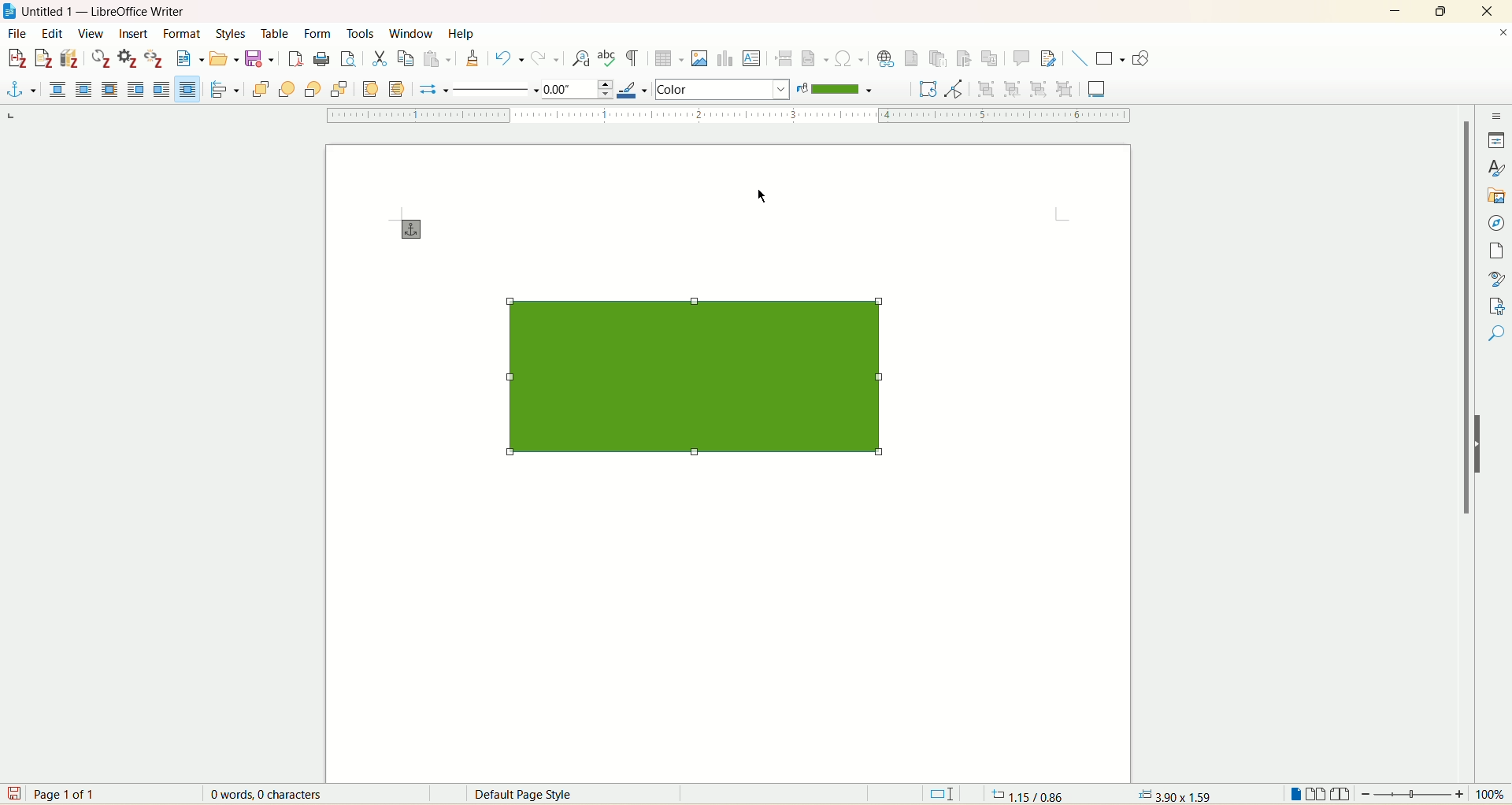 The height and width of the screenshot is (805, 1512). What do you see at coordinates (187, 60) in the screenshot?
I see `new` at bounding box center [187, 60].